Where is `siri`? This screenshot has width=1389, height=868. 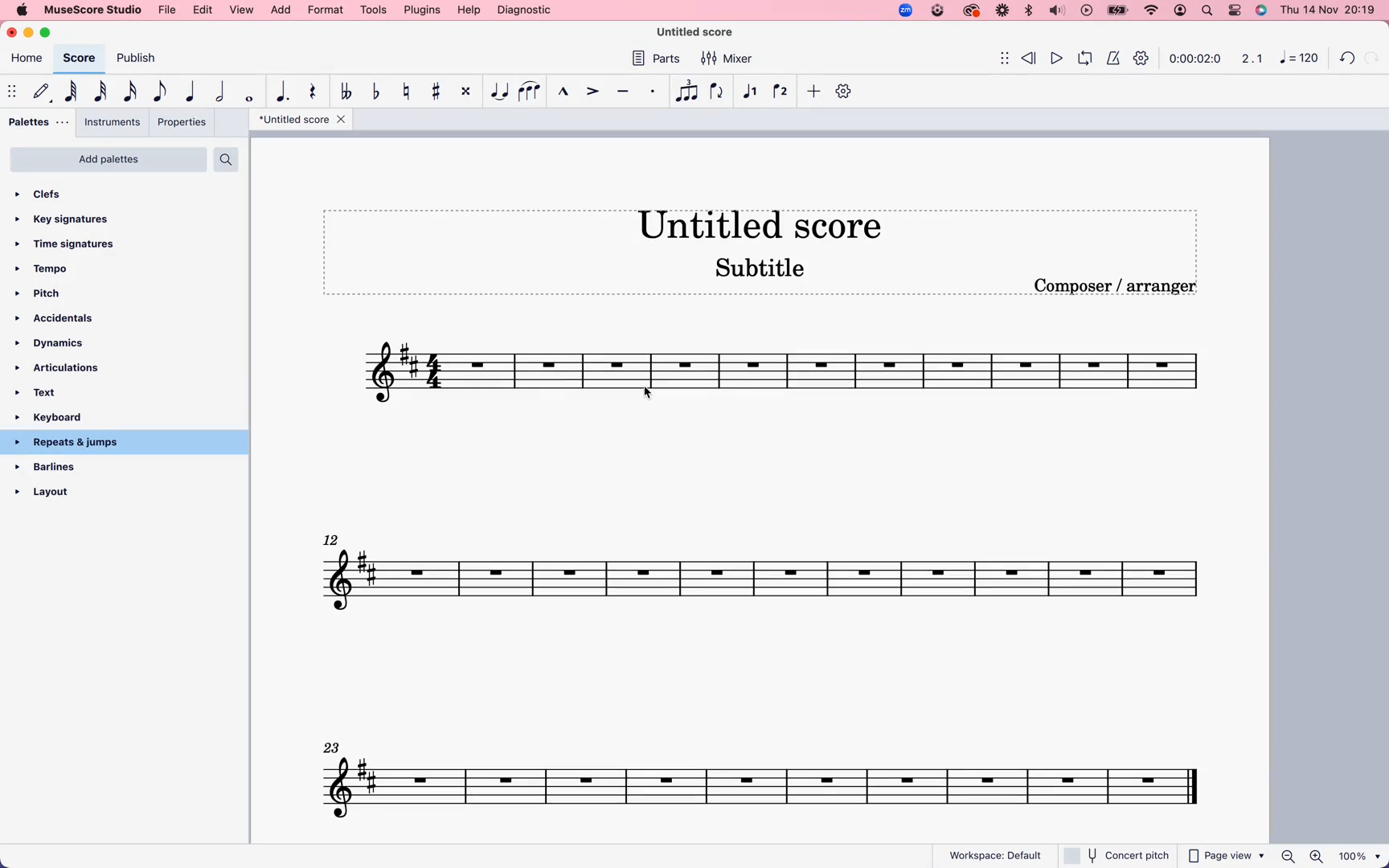
siri is located at coordinates (1259, 10).